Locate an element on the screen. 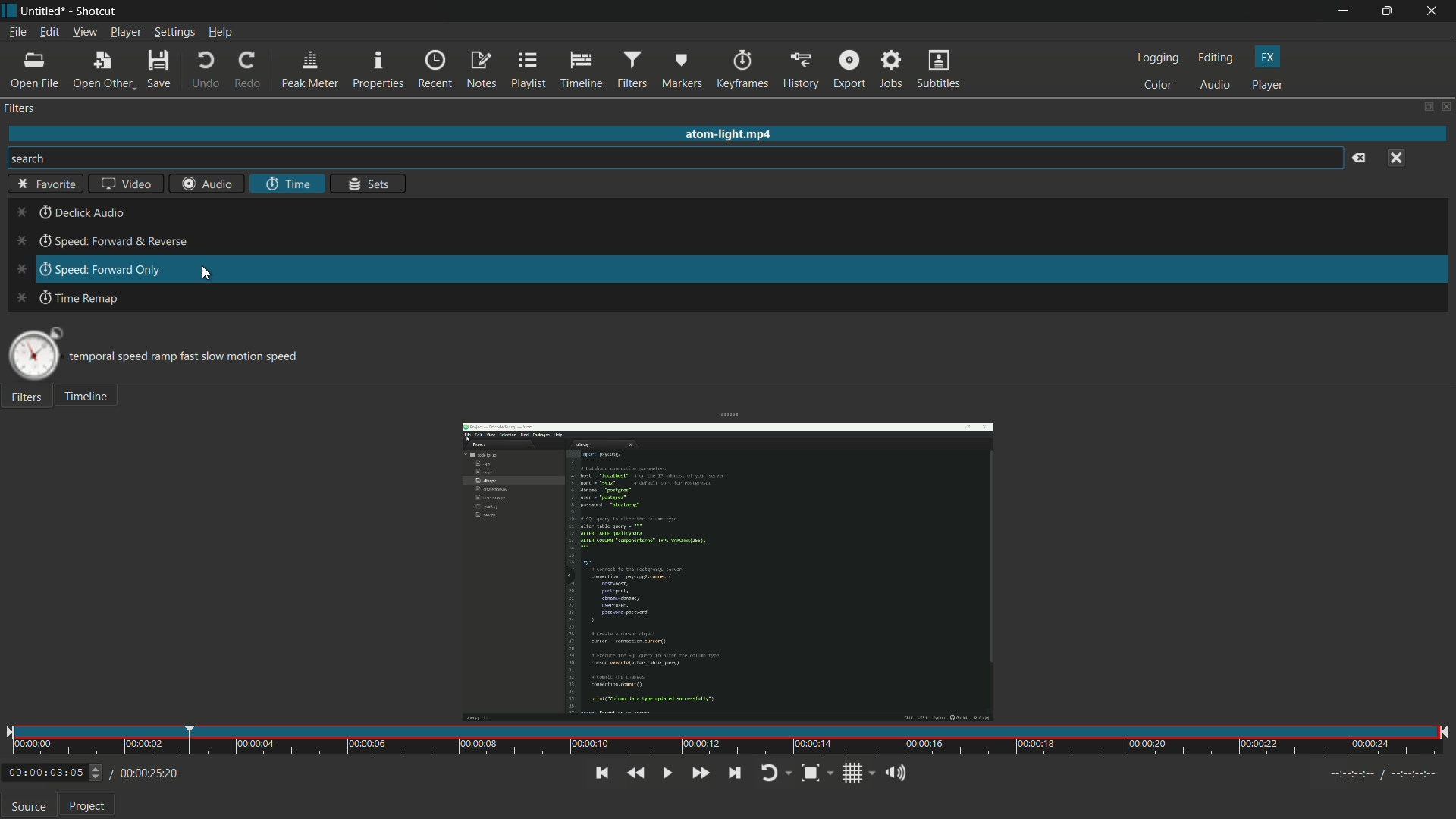  fx is located at coordinates (1270, 58).